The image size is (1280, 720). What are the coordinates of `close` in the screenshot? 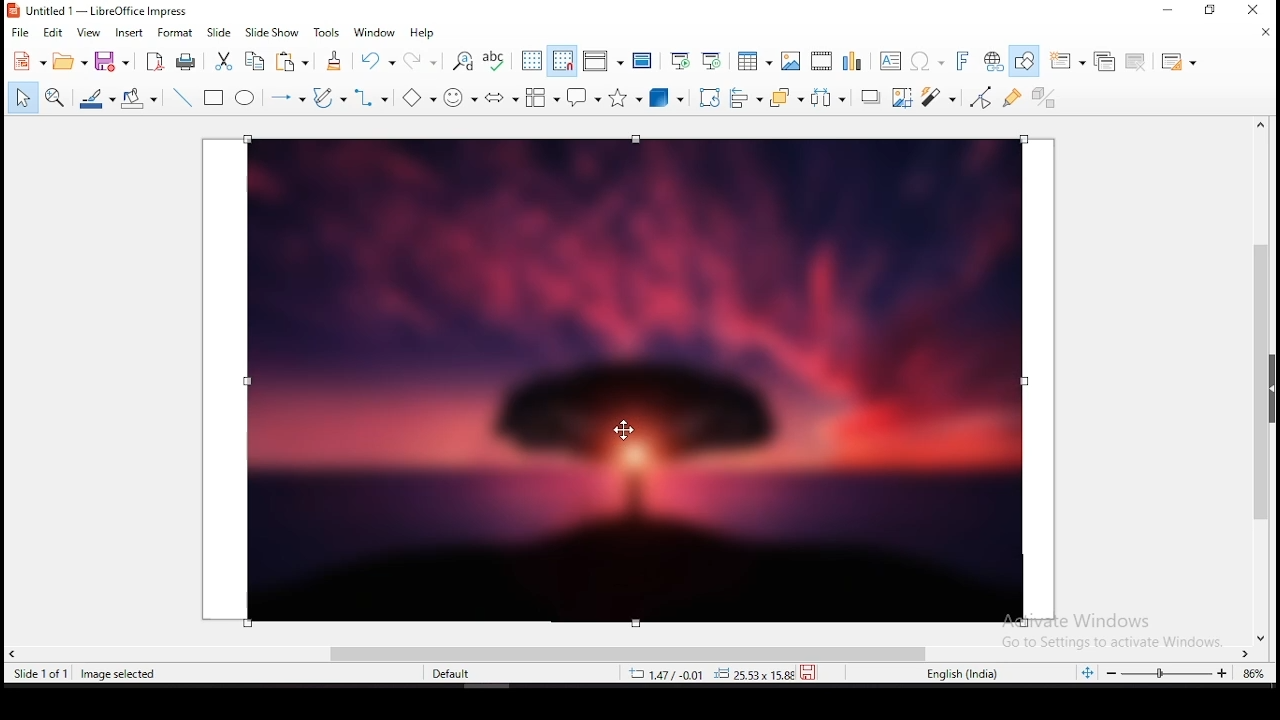 It's located at (1264, 32).